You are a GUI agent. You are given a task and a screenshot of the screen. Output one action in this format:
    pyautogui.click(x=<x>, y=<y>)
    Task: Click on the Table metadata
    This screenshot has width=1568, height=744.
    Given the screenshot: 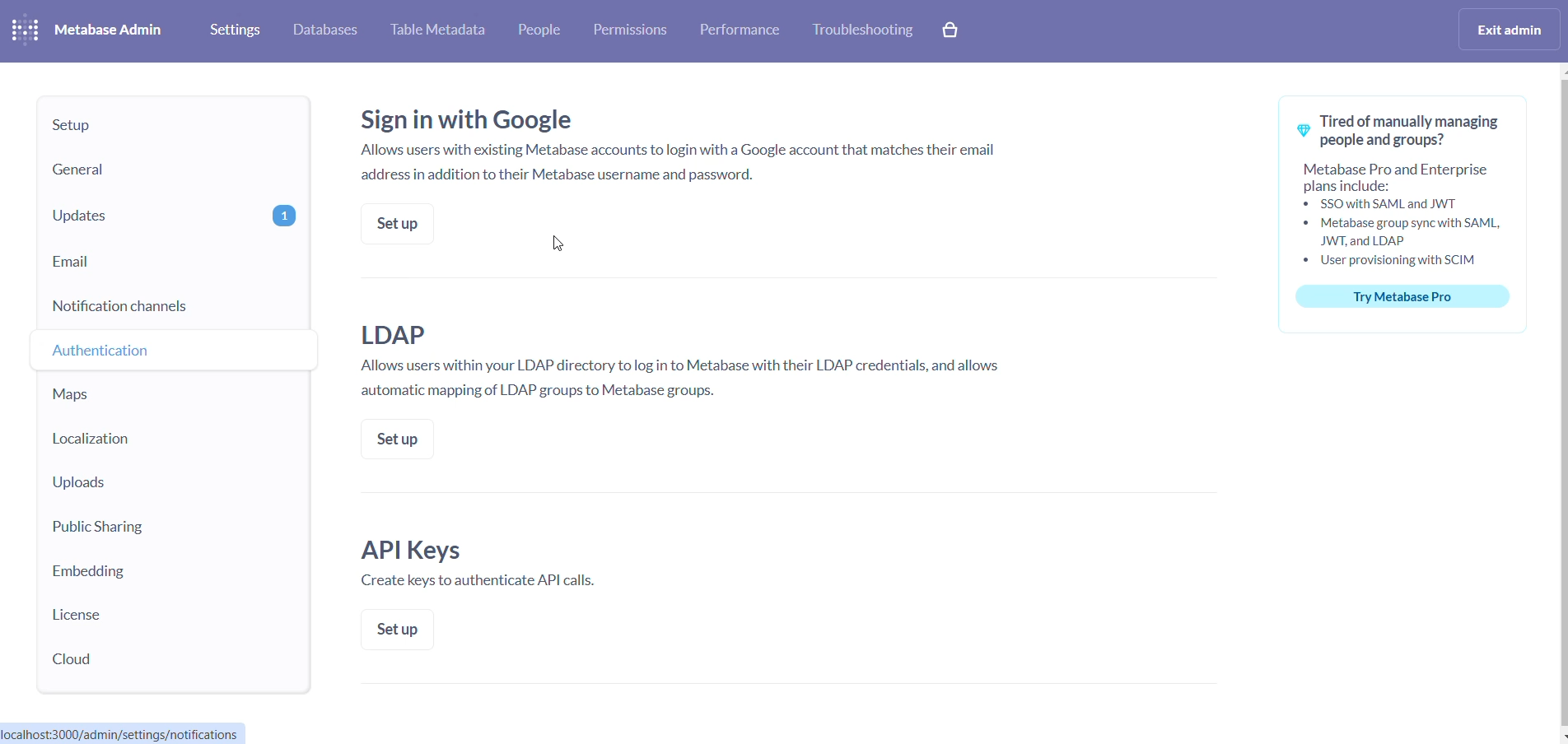 What is the action you would take?
    pyautogui.click(x=439, y=32)
    